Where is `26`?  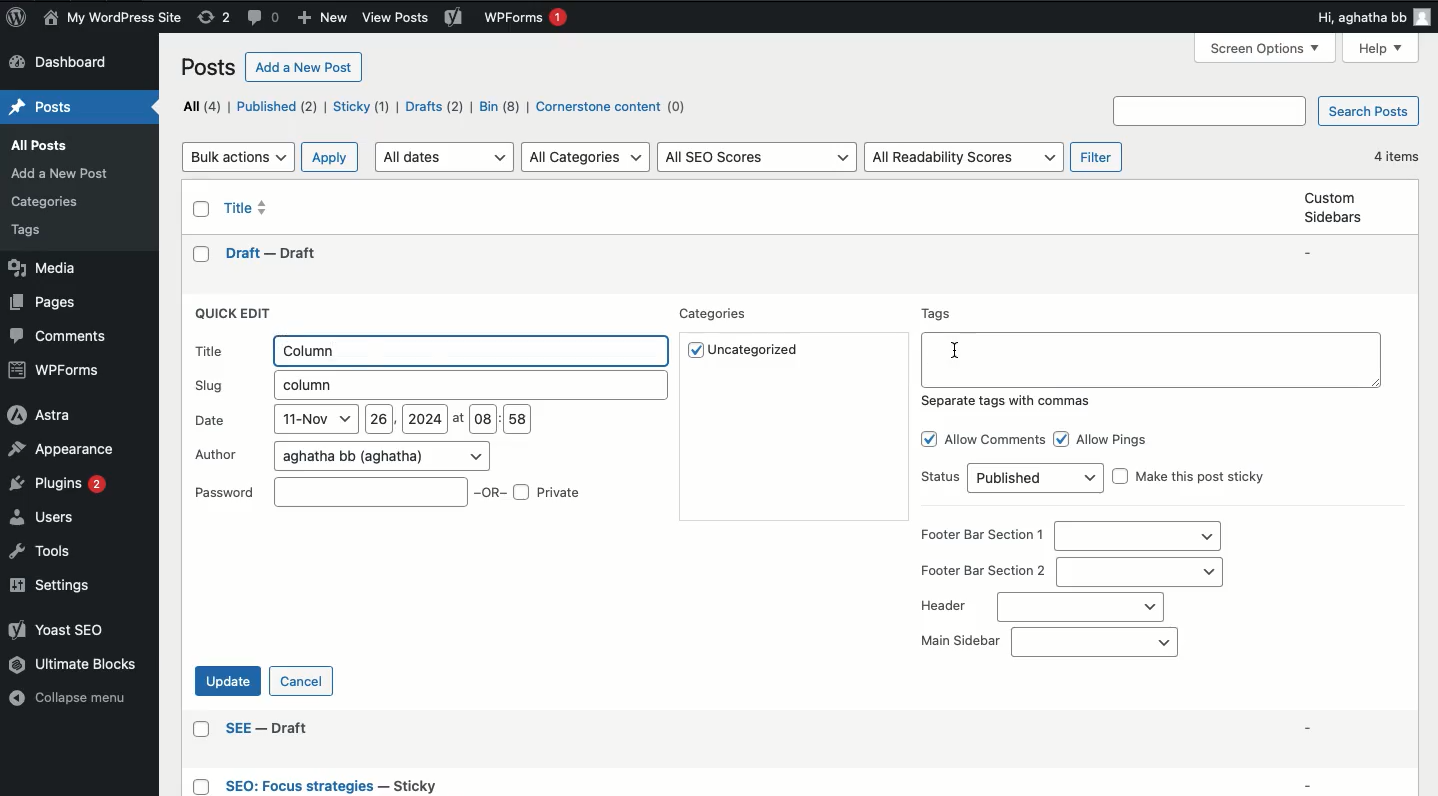 26 is located at coordinates (378, 418).